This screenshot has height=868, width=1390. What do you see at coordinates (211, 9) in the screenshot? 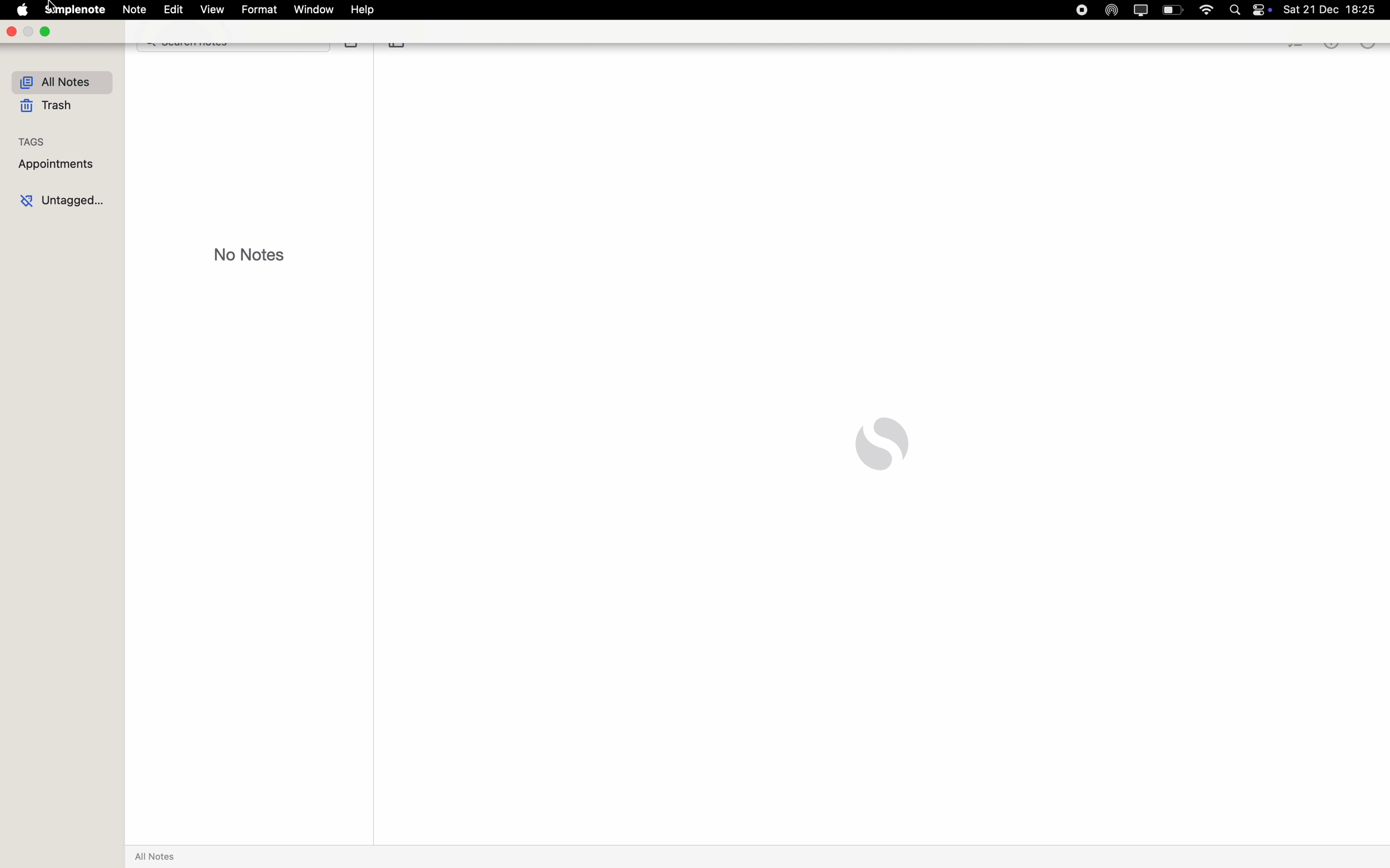
I see `view` at bounding box center [211, 9].